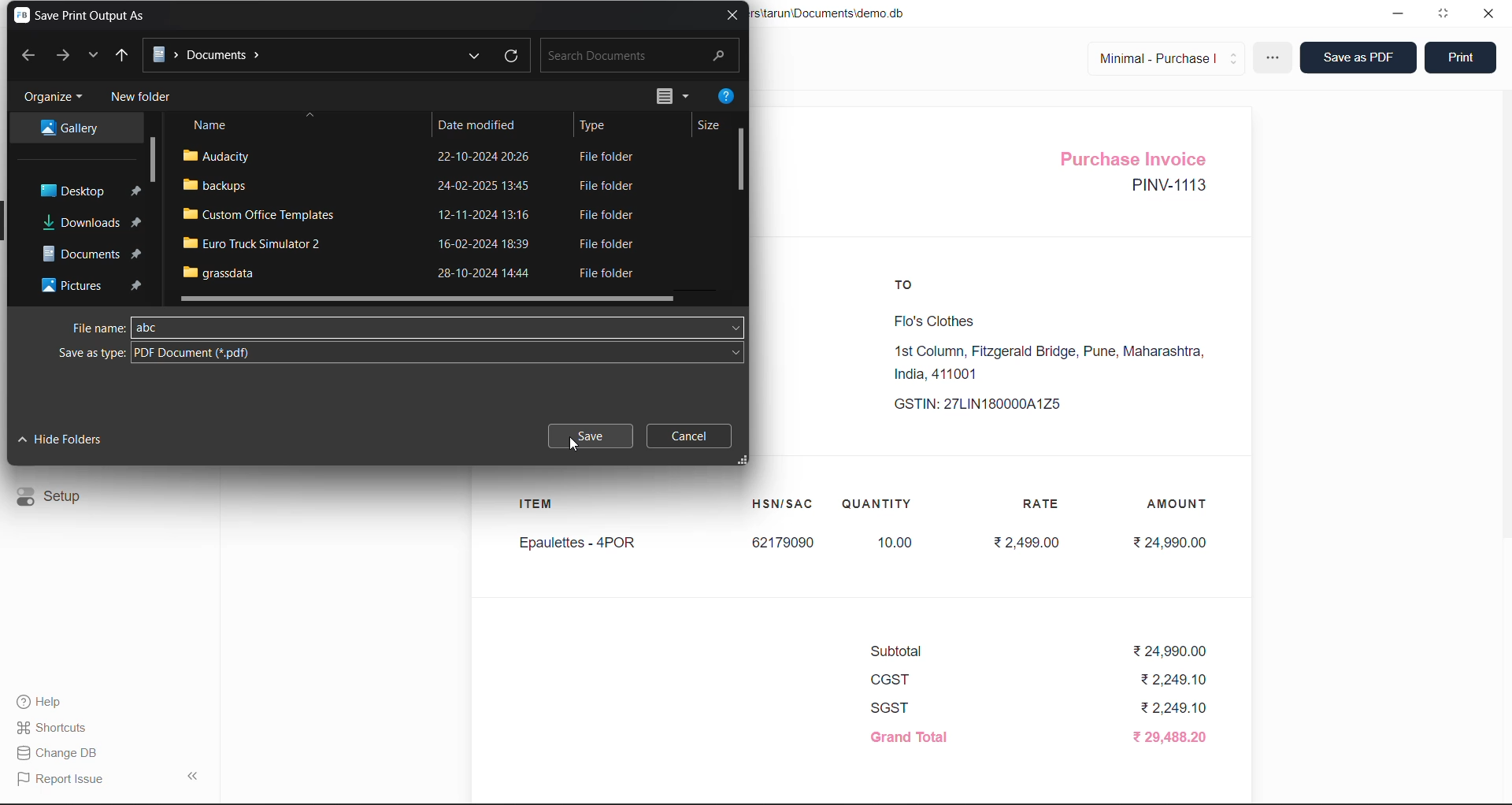  Describe the element at coordinates (155, 161) in the screenshot. I see `vertical scroll bar` at that location.